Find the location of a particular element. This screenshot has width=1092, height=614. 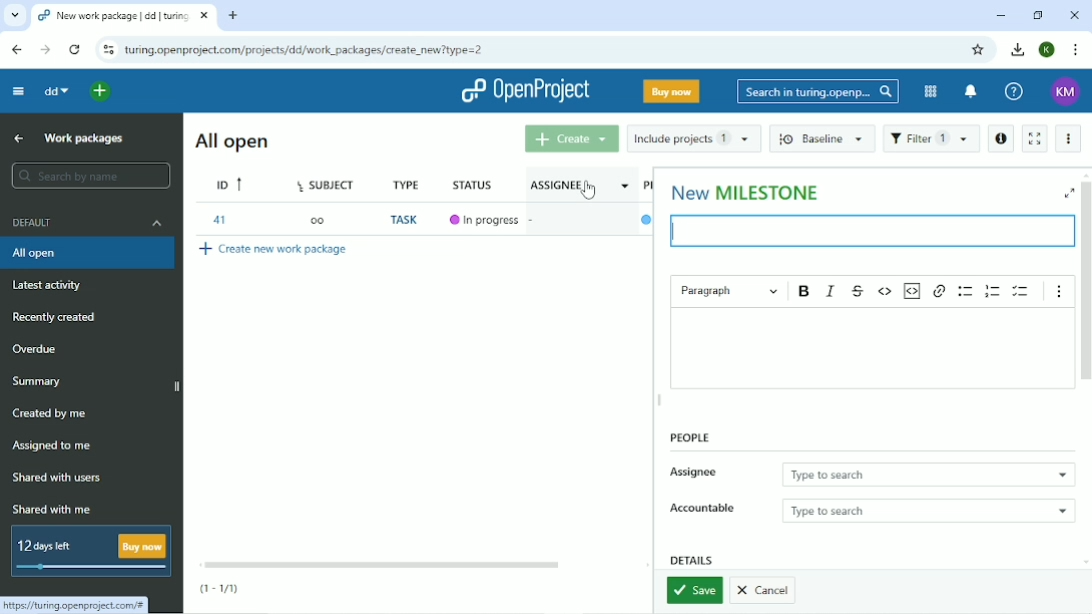

Link is located at coordinates (939, 292).